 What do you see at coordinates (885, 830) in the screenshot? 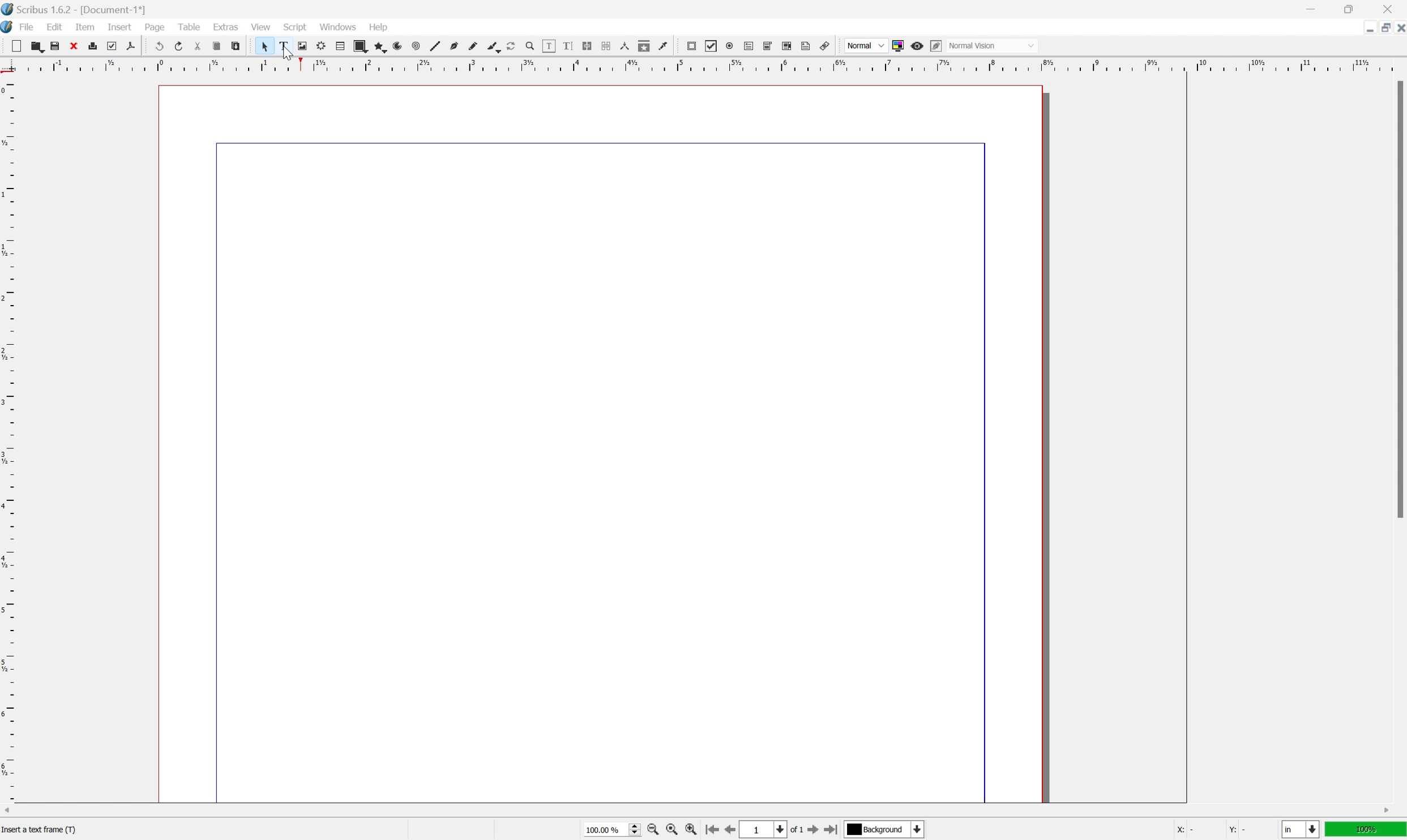
I see `select current layer` at bounding box center [885, 830].